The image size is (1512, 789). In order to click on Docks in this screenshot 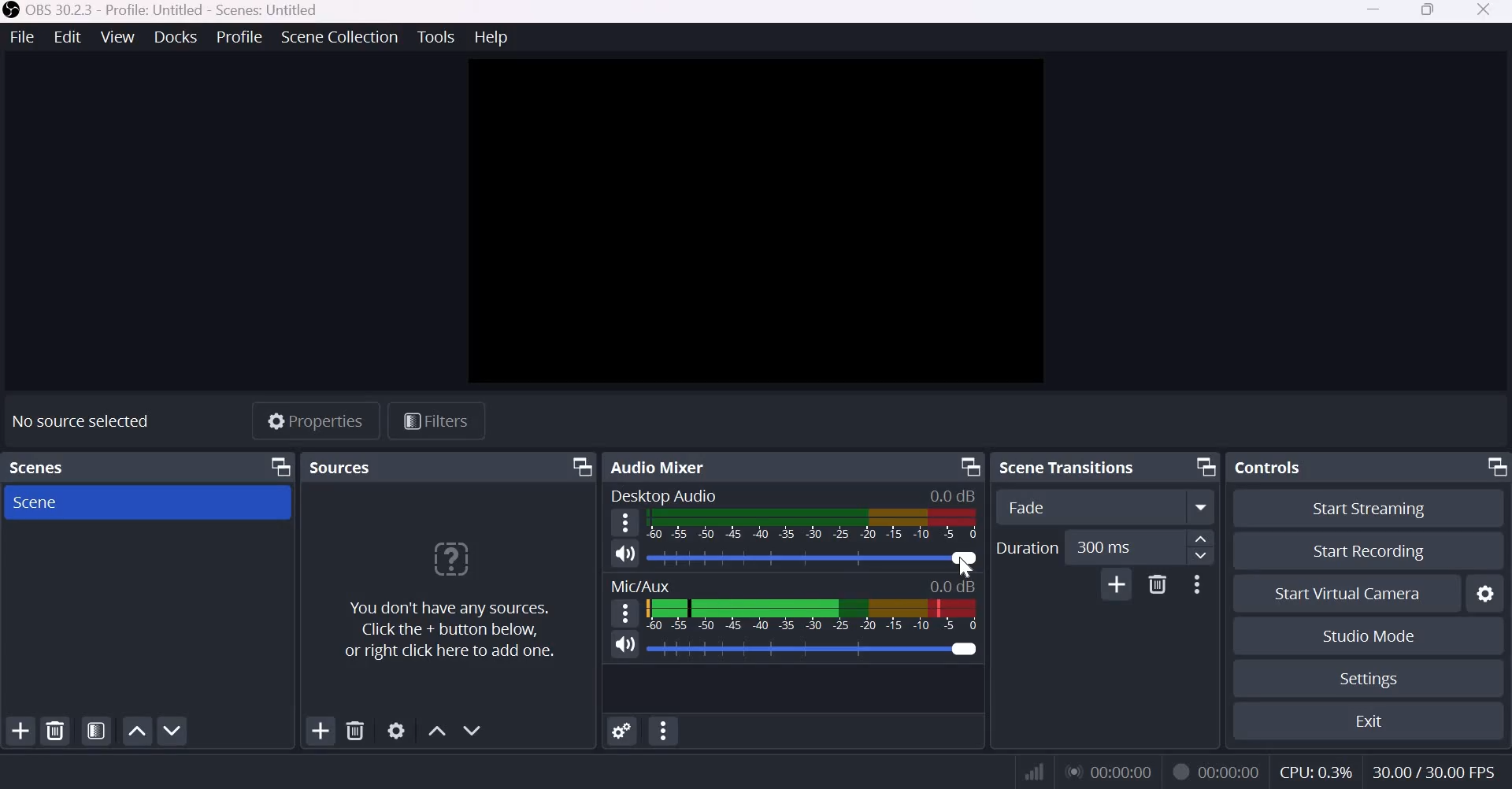, I will do `click(176, 36)`.